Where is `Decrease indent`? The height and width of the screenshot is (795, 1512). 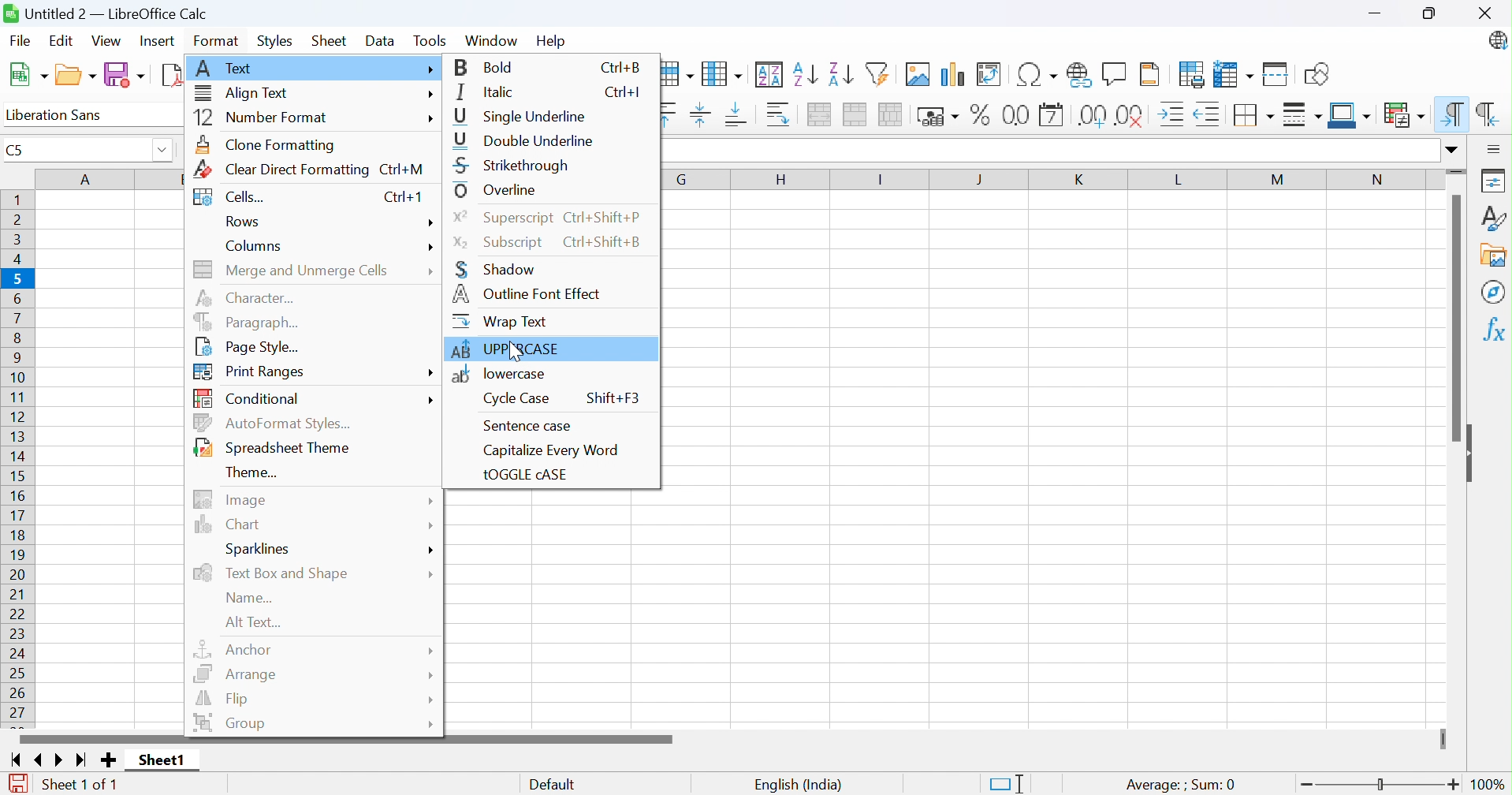
Decrease indent is located at coordinates (1210, 114).